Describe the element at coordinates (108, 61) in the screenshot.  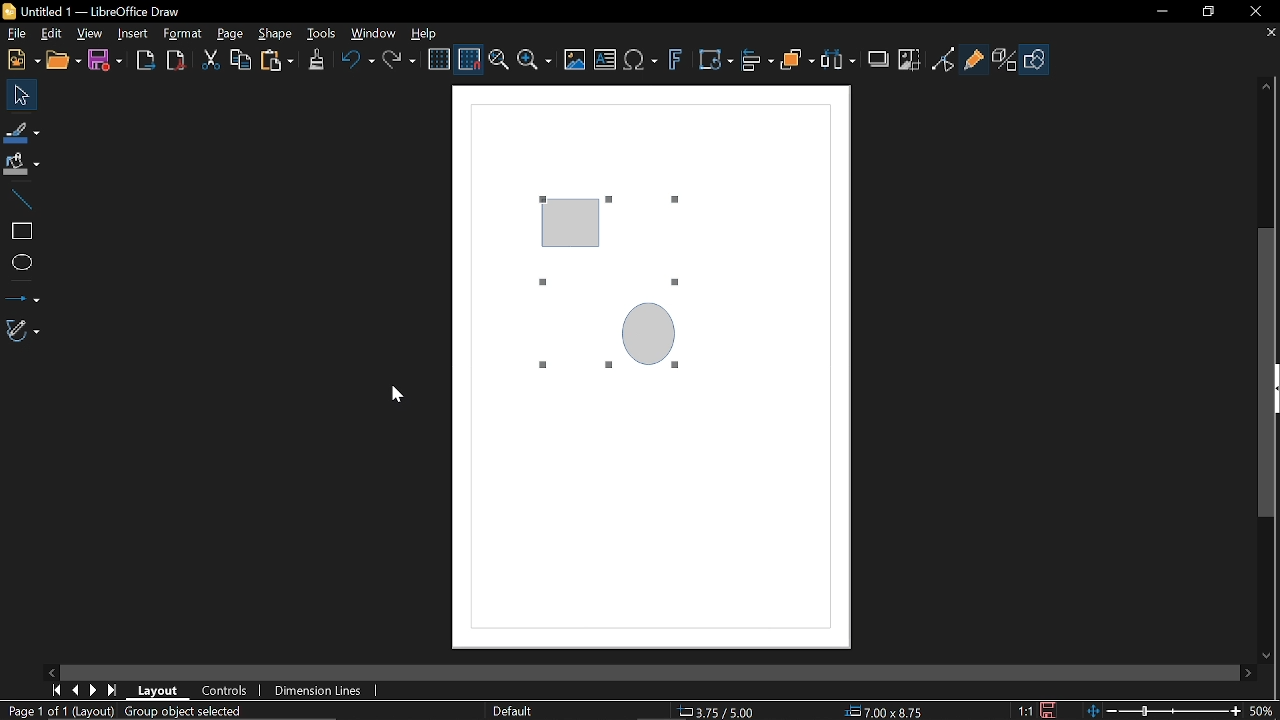
I see `Save` at that location.